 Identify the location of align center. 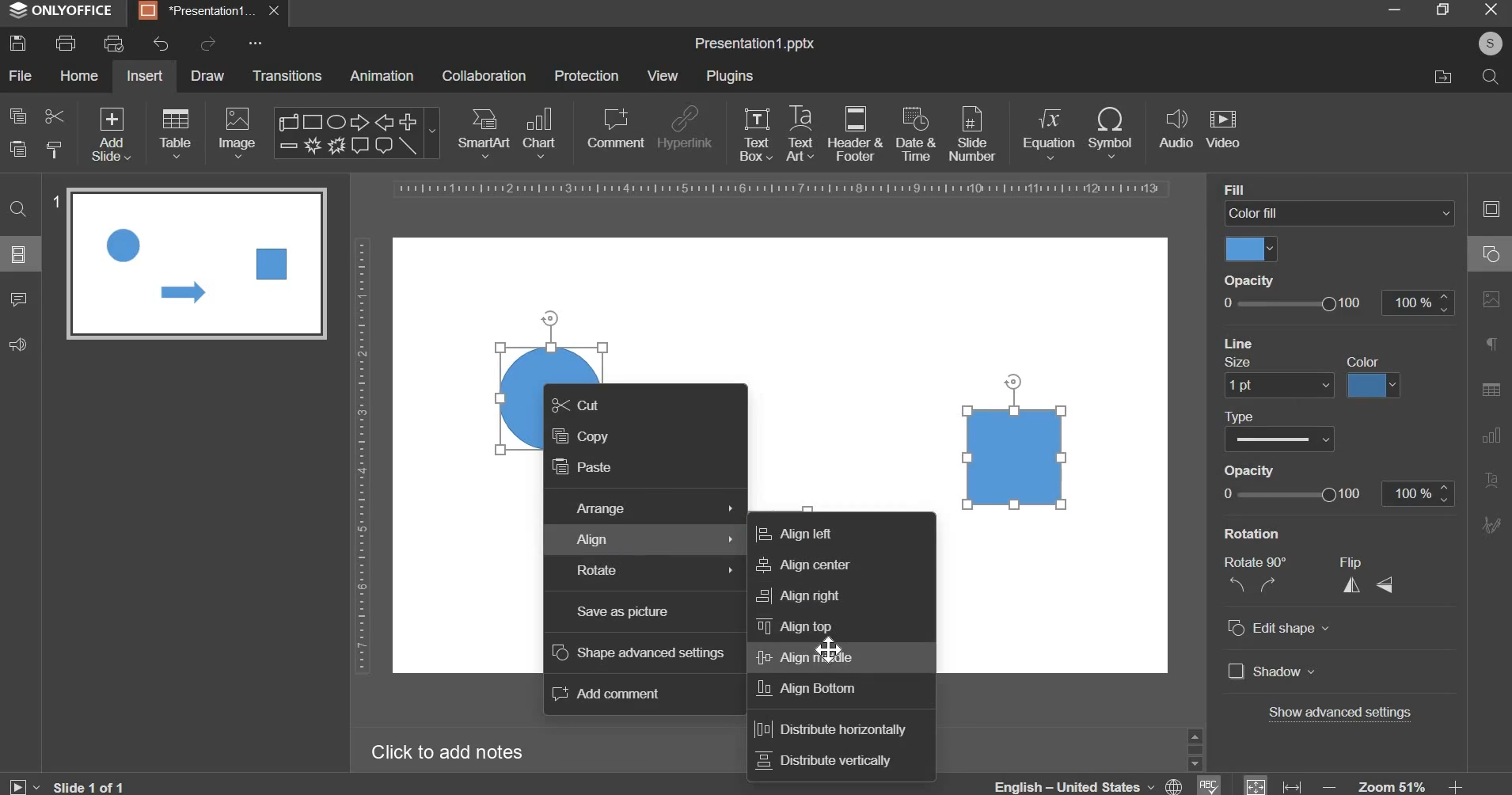
(799, 565).